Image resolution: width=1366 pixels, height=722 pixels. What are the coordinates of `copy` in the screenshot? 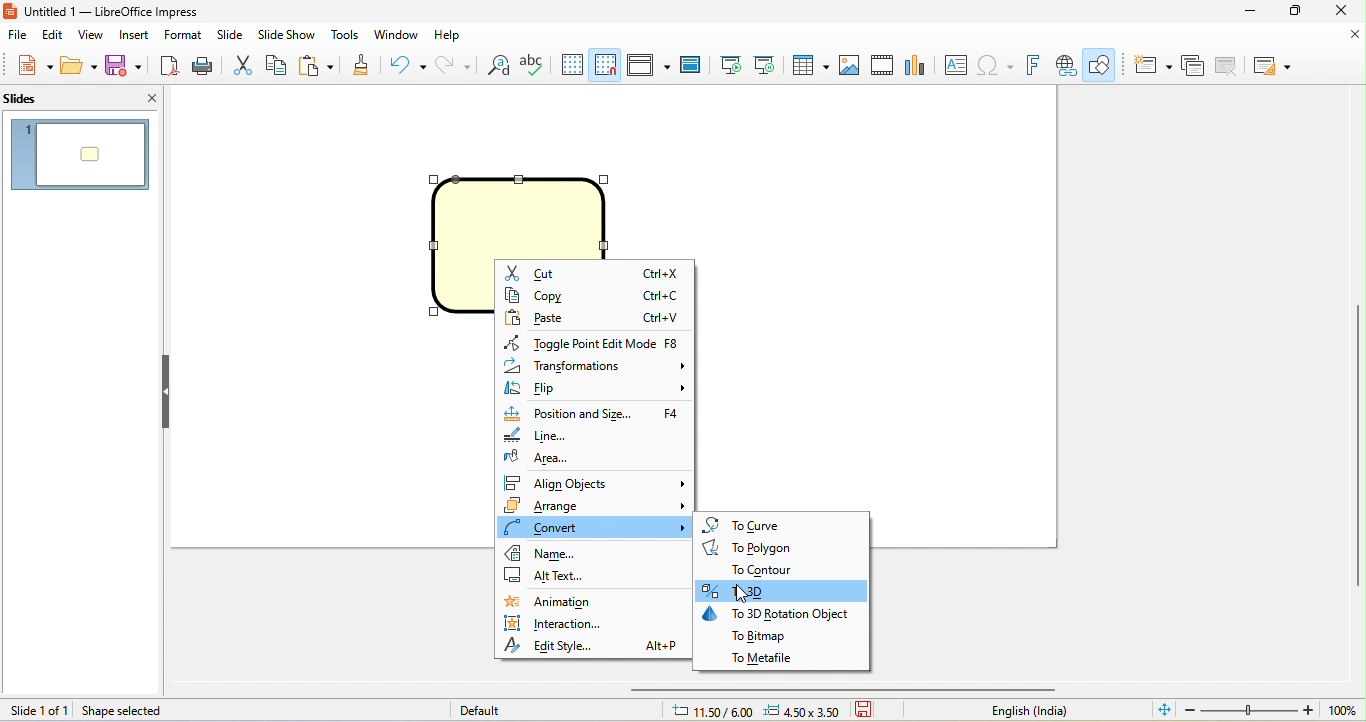 It's located at (593, 294).